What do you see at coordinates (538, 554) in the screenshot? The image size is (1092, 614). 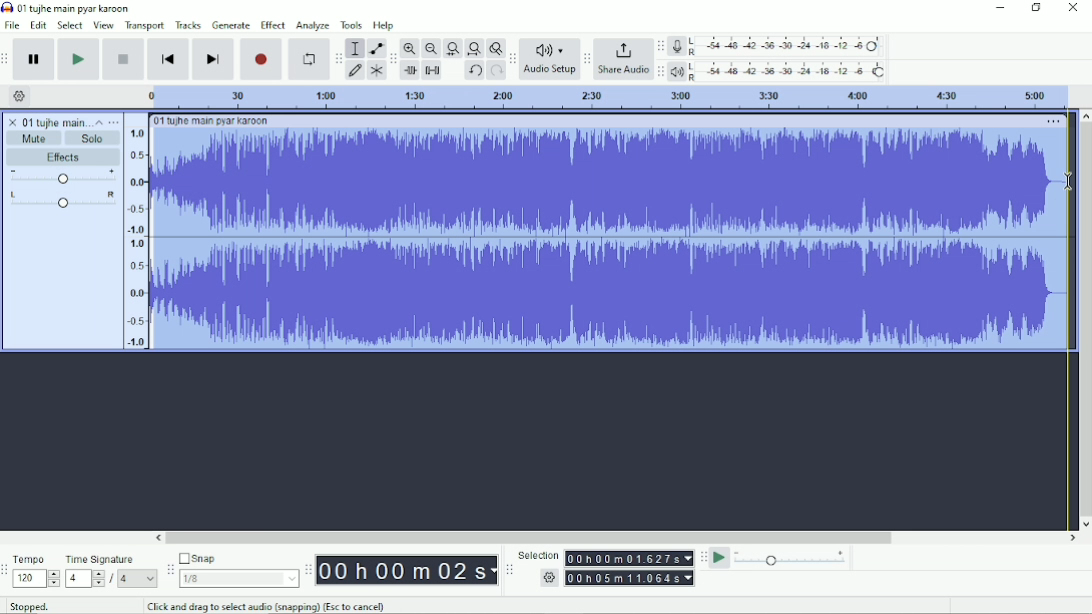 I see `Selection` at bounding box center [538, 554].